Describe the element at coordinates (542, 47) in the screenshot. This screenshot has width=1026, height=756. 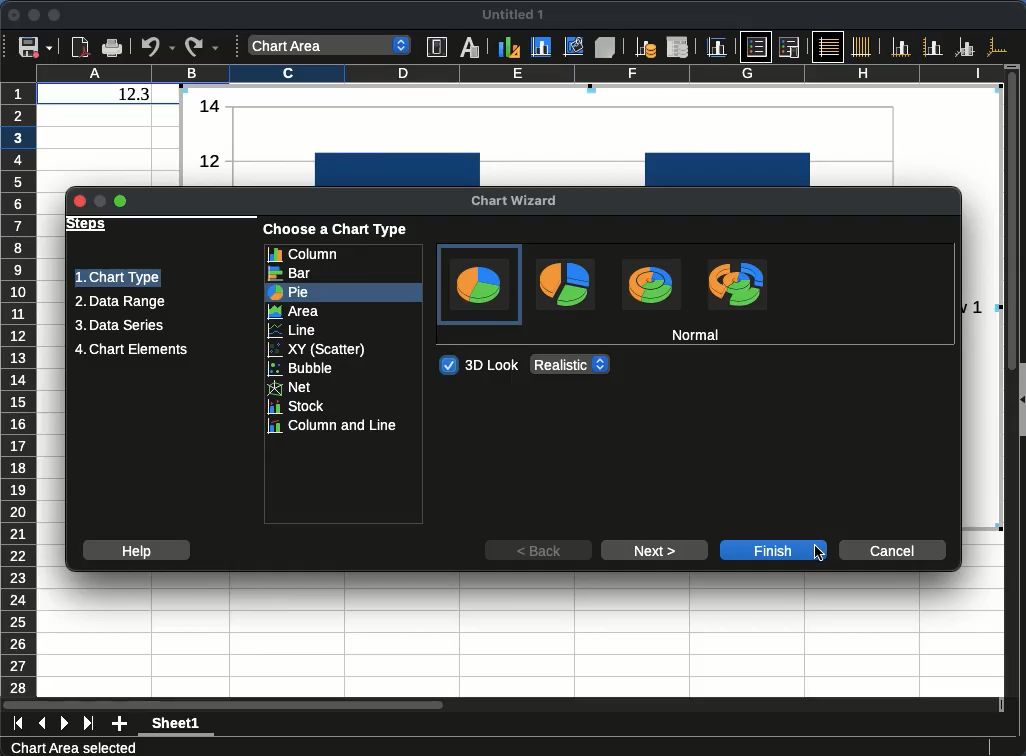
I see `Chart area` at that location.